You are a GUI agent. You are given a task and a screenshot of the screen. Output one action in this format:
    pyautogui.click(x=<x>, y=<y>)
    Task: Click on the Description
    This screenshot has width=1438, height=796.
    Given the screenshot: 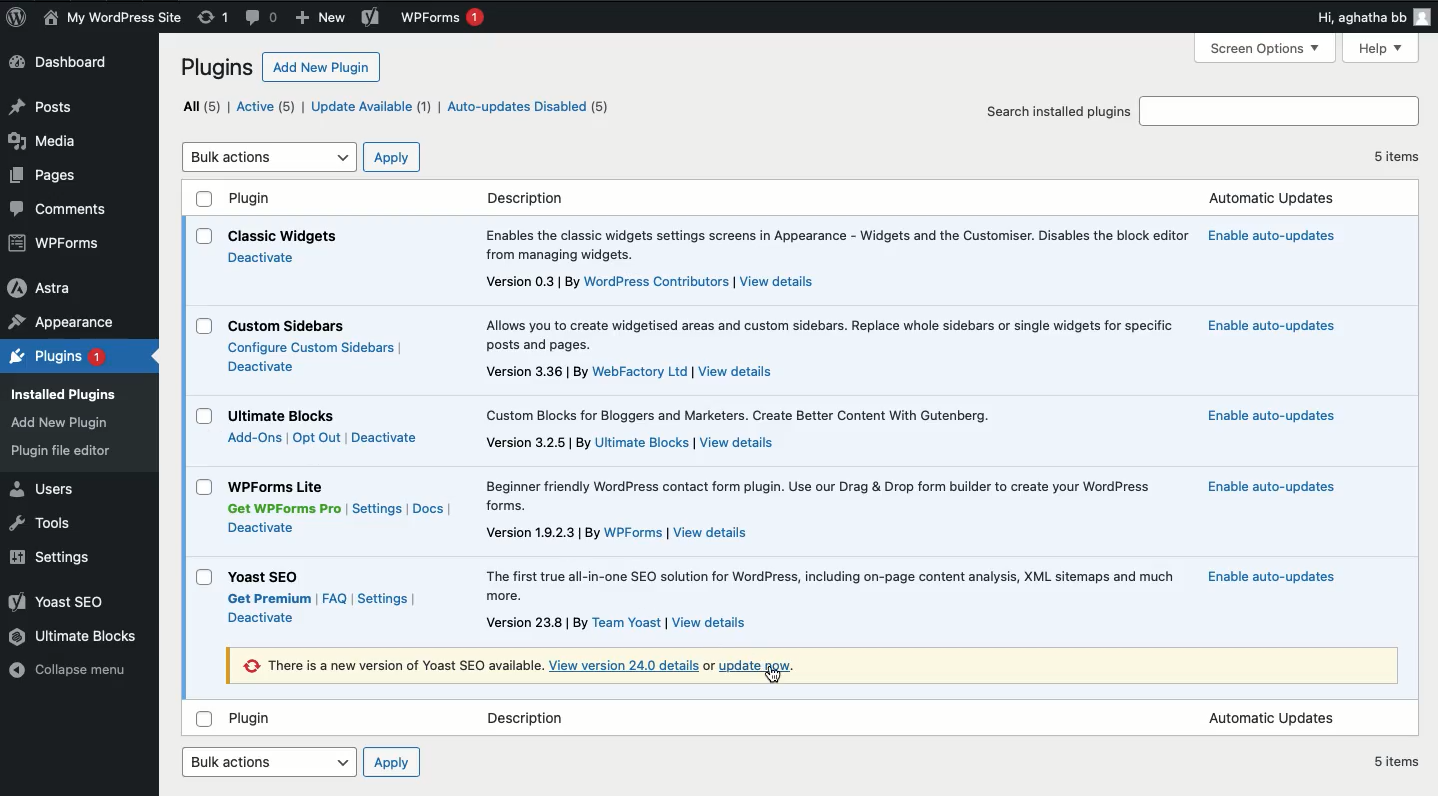 What is the action you would take?
    pyautogui.click(x=829, y=334)
    